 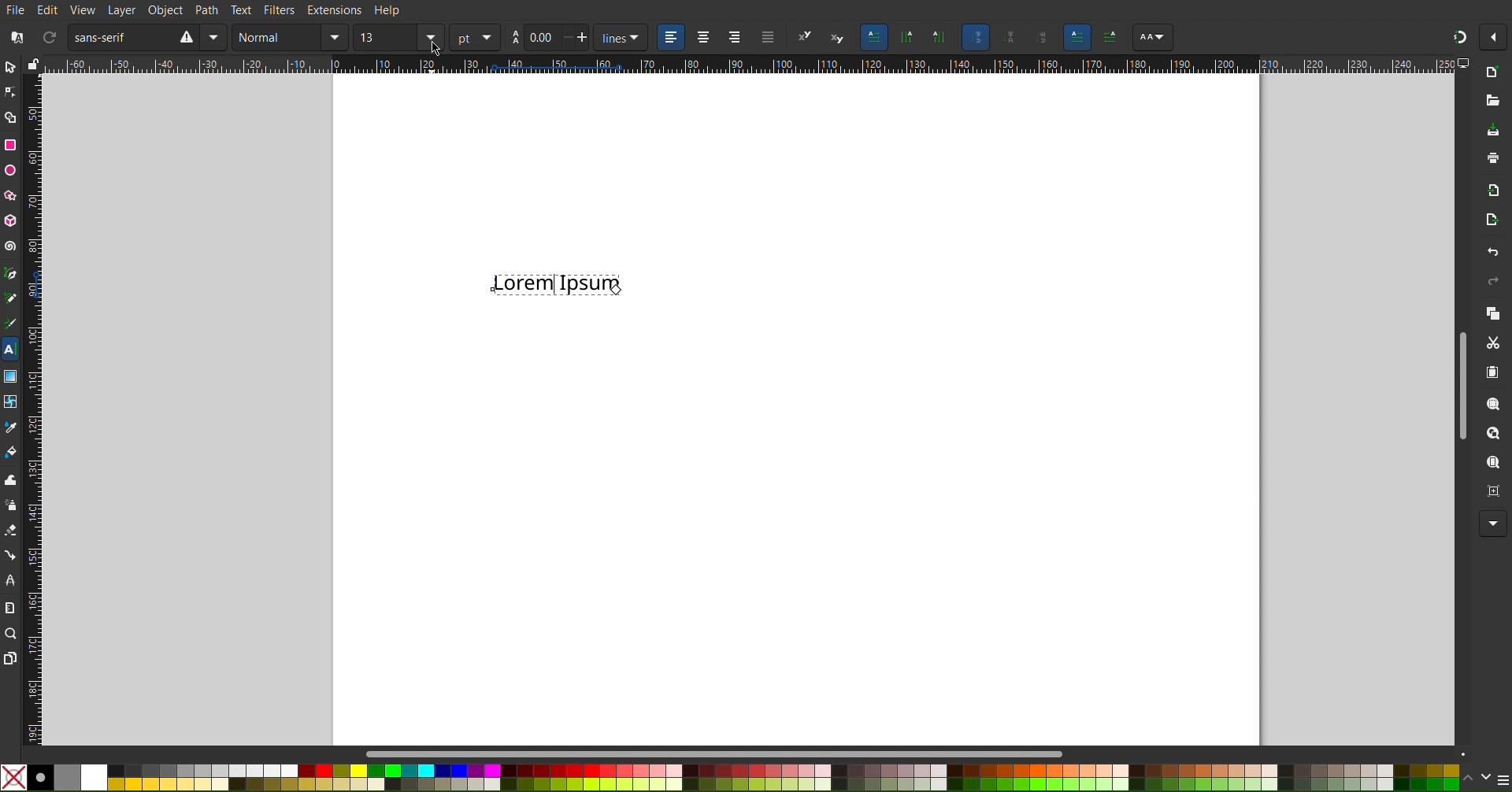 What do you see at coordinates (475, 37) in the screenshot?
I see `pt menu` at bounding box center [475, 37].